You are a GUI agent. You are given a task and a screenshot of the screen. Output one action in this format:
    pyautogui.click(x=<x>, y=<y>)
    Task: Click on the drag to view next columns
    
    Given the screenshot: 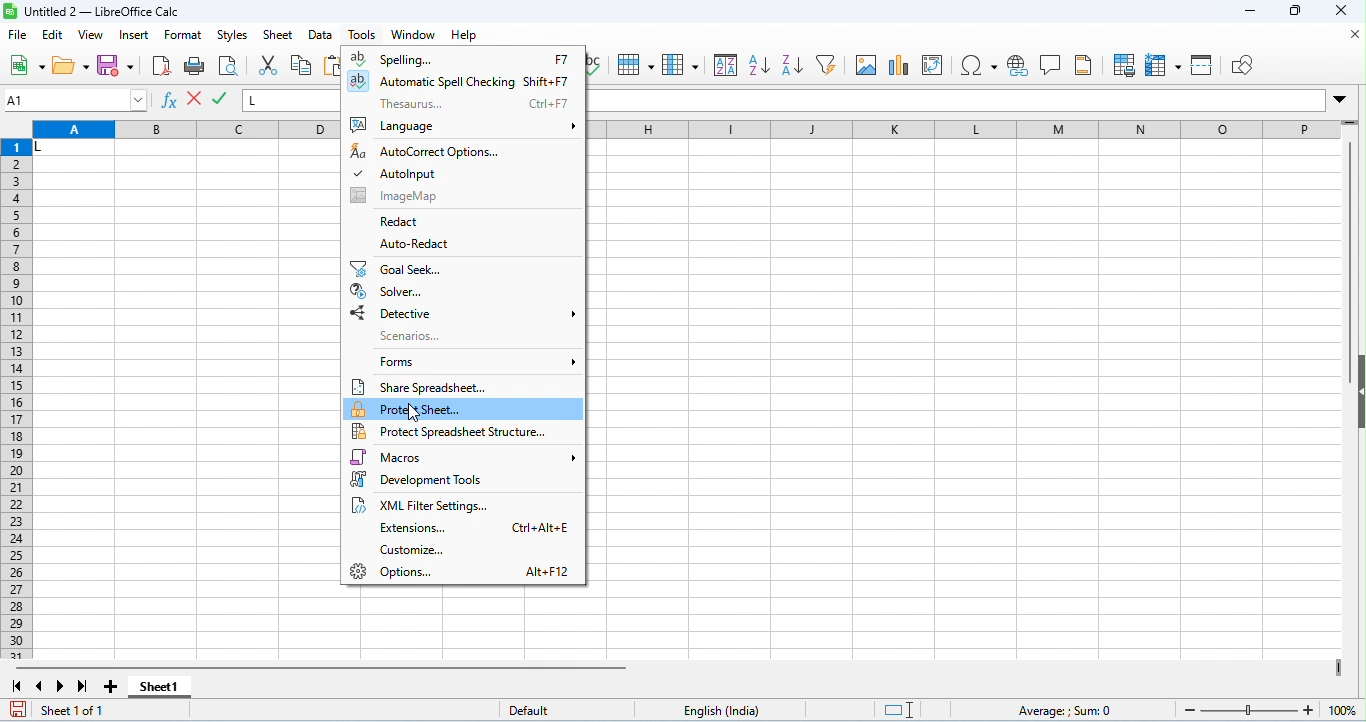 What is the action you would take?
    pyautogui.click(x=1338, y=667)
    